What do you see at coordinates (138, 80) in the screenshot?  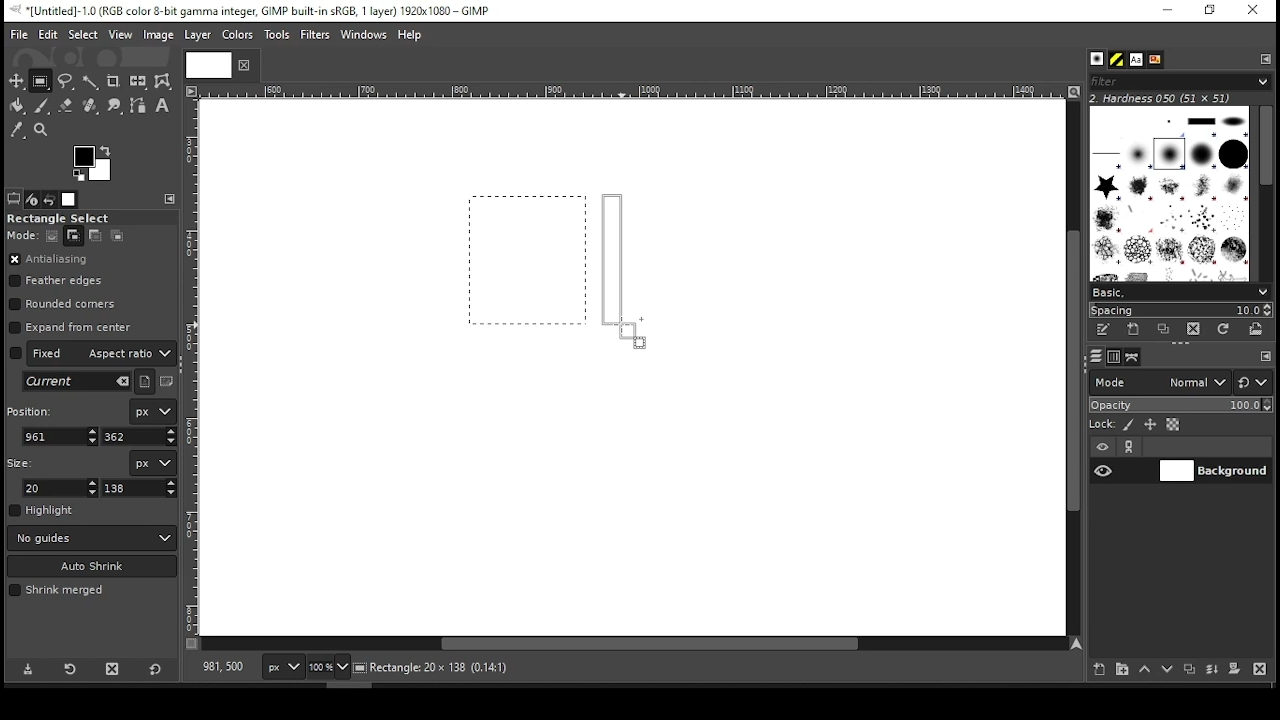 I see `flip tool` at bounding box center [138, 80].